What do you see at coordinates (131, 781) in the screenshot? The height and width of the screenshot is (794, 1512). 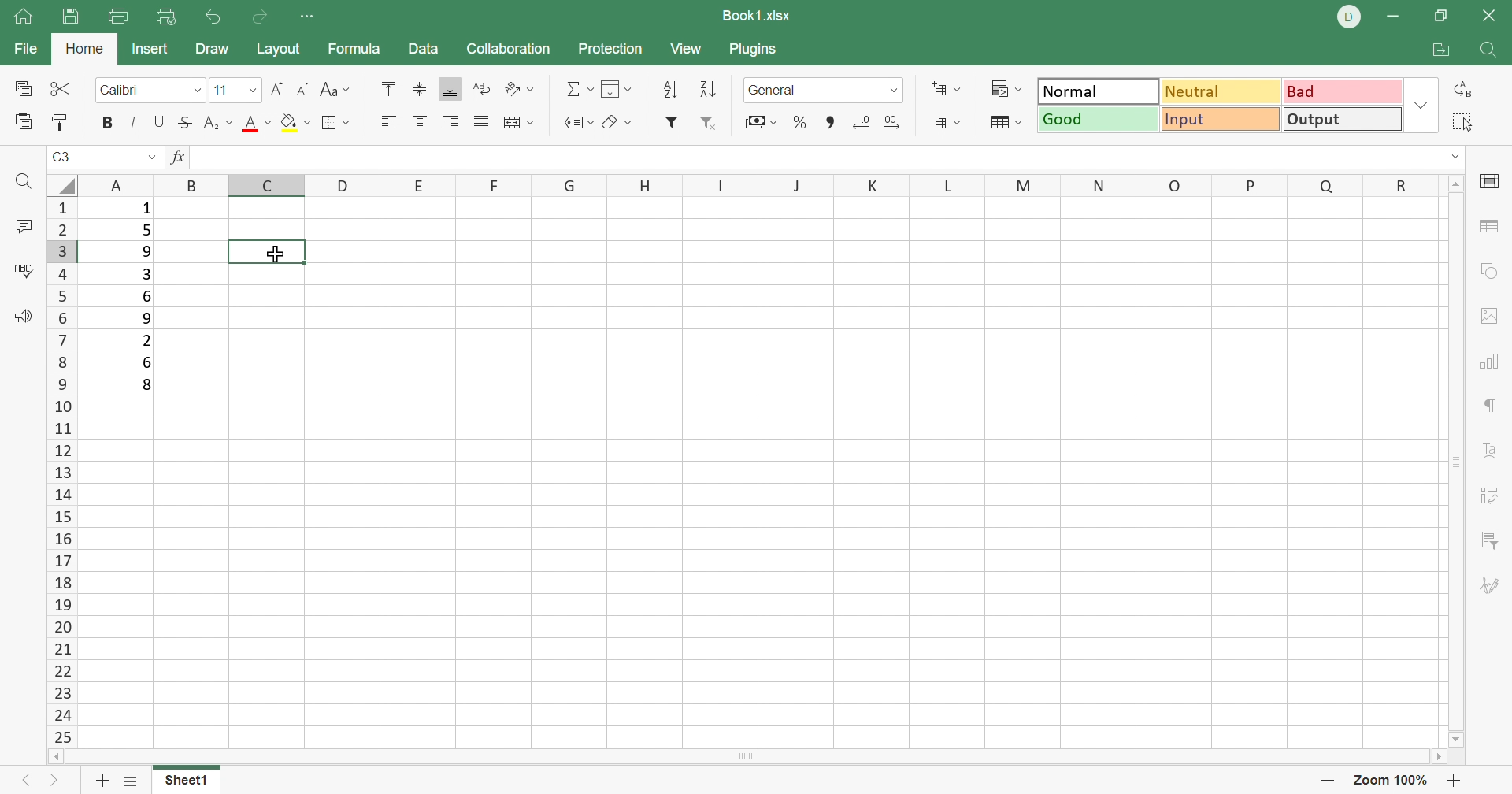 I see `List of sheets` at bounding box center [131, 781].